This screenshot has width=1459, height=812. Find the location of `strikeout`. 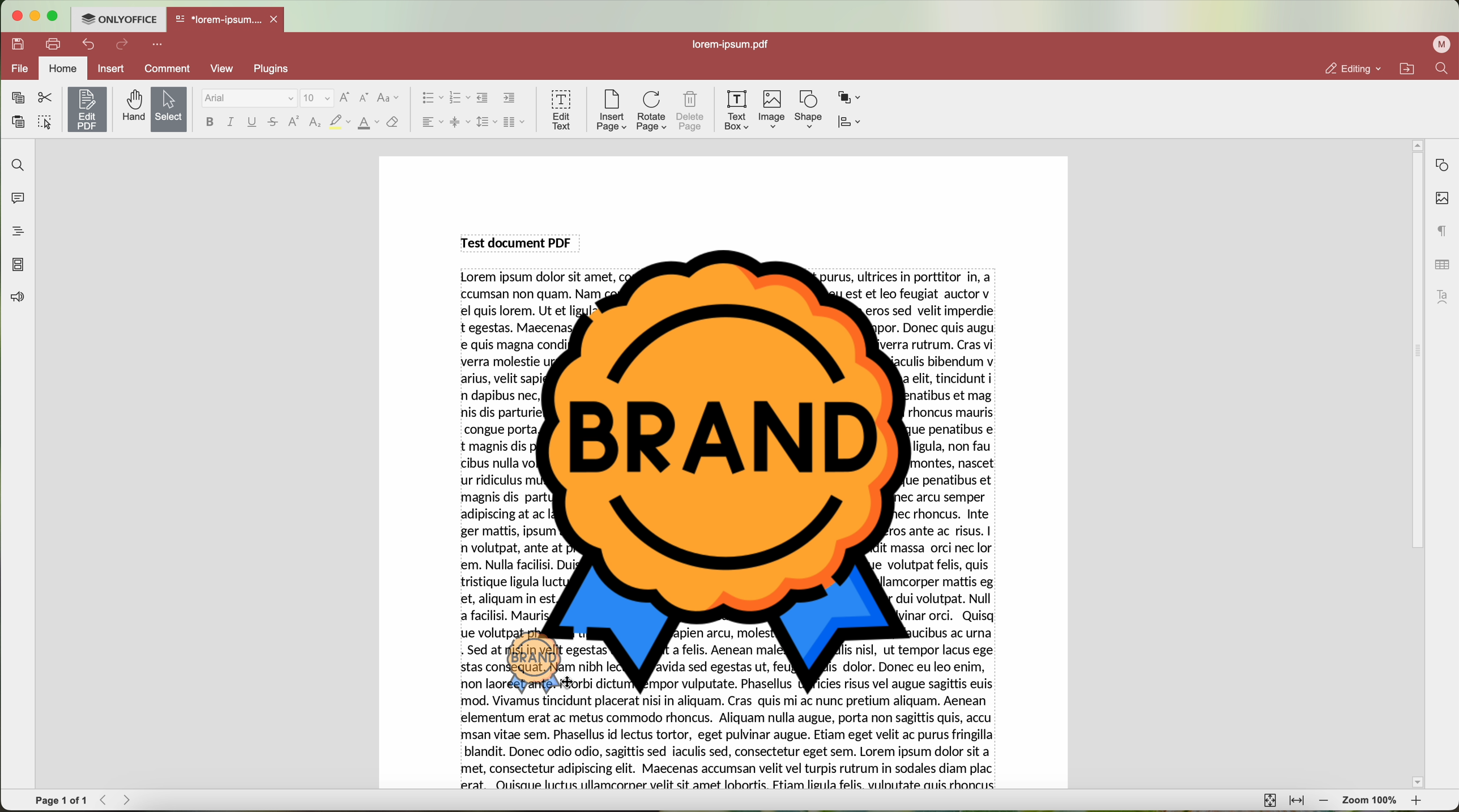

strikeout is located at coordinates (274, 123).